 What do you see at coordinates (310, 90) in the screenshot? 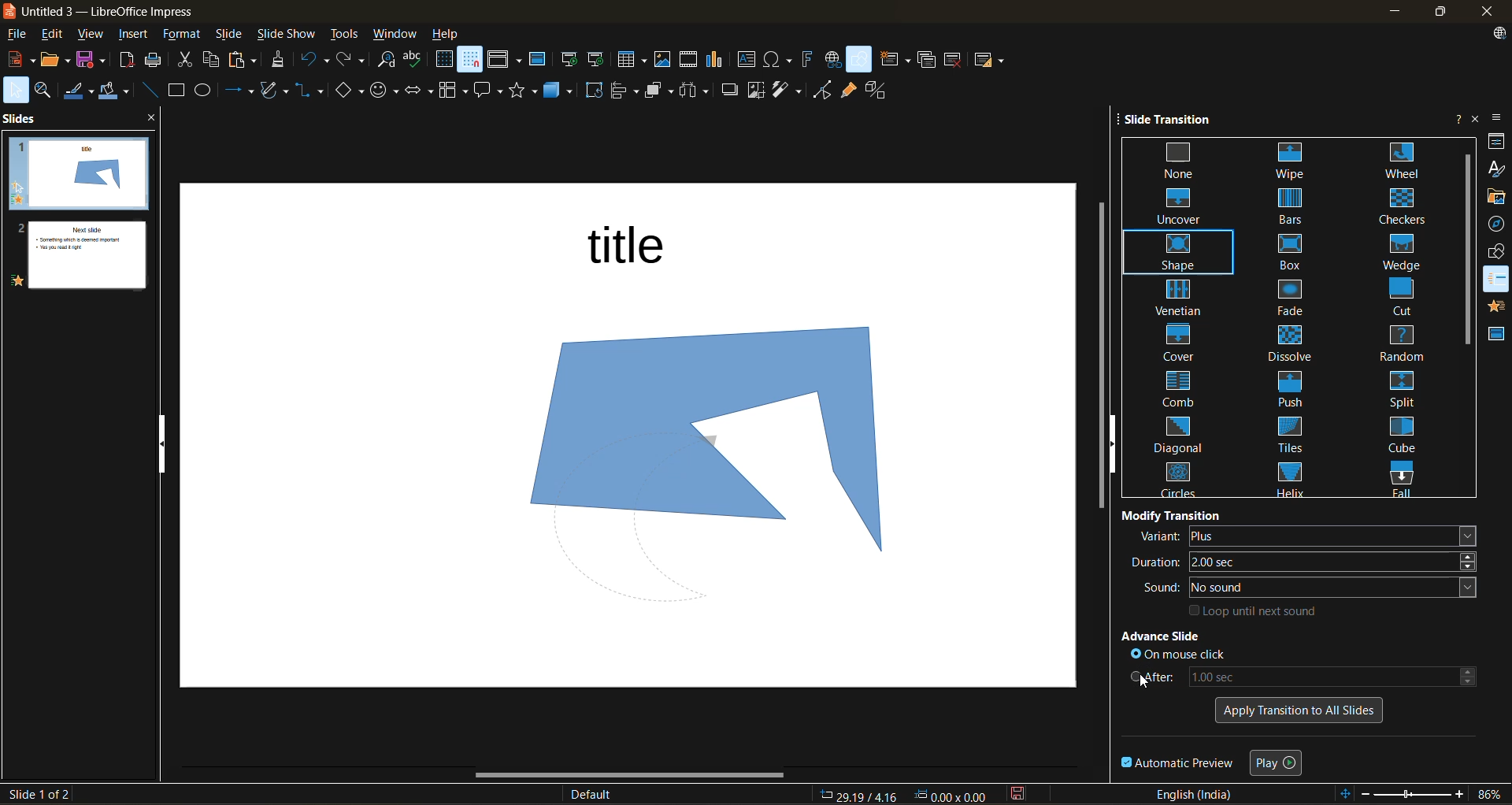
I see `connectors` at bounding box center [310, 90].